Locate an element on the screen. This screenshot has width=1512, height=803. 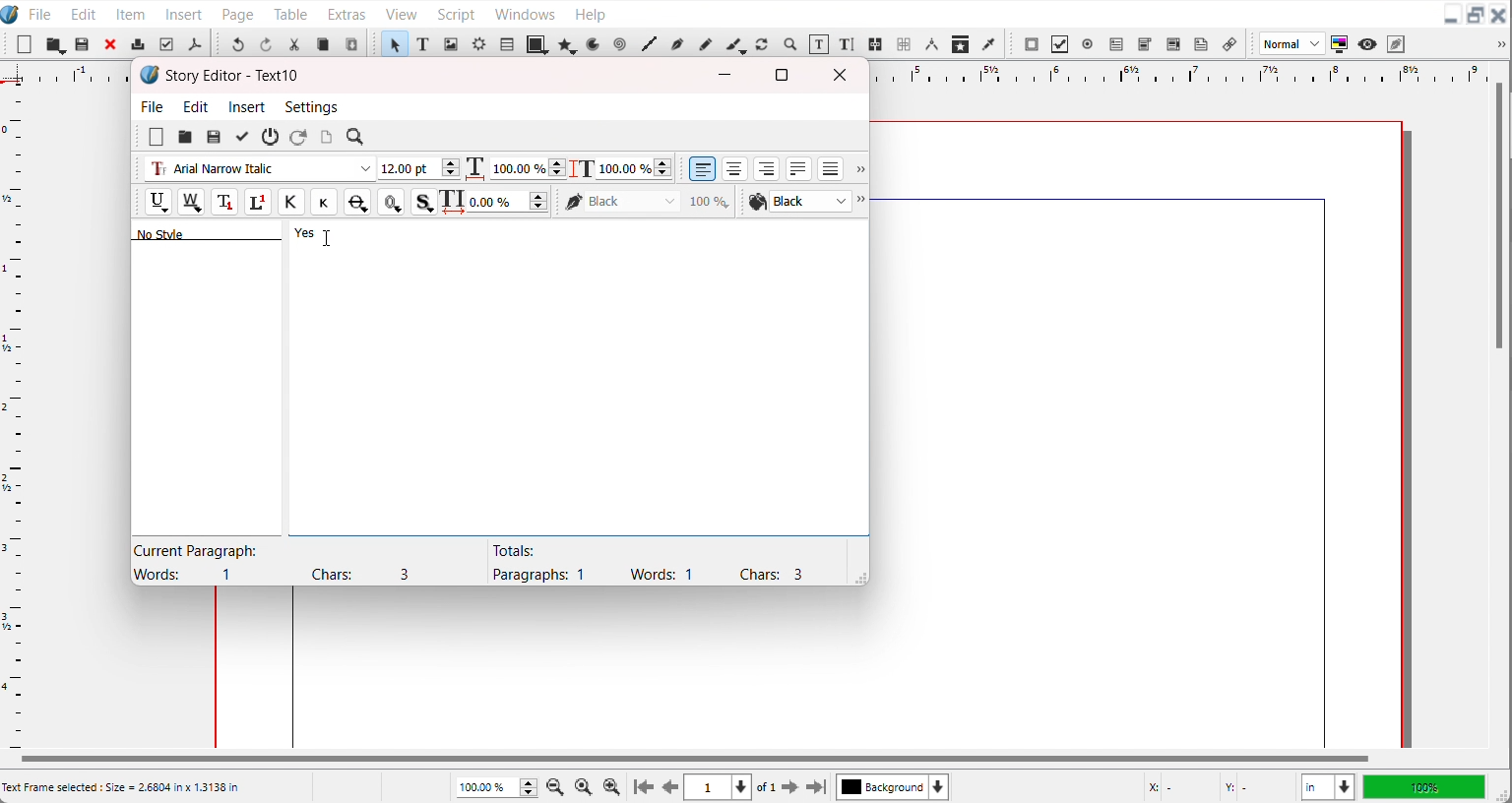
Text width adjuster is located at coordinates (528, 168).